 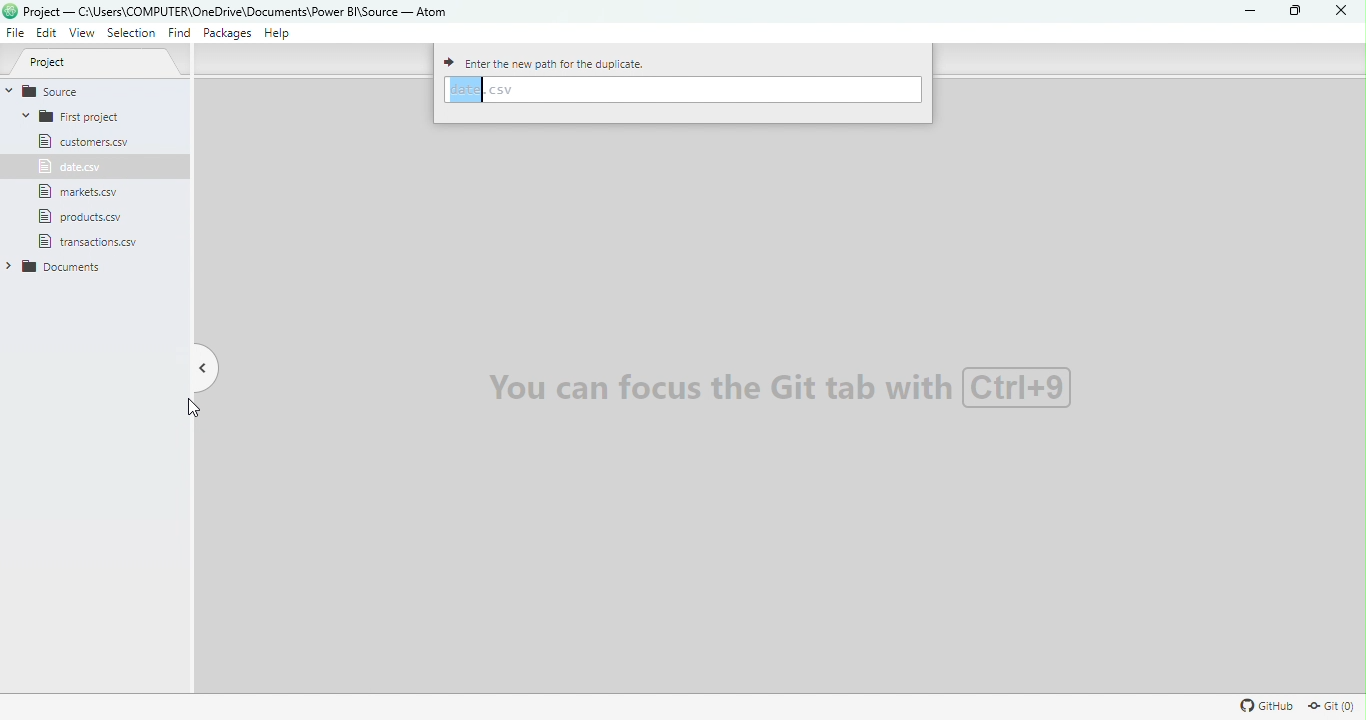 What do you see at coordinates (1263, 705) in the screenshot?
I see `Github` at bounding box center [1263, 705].